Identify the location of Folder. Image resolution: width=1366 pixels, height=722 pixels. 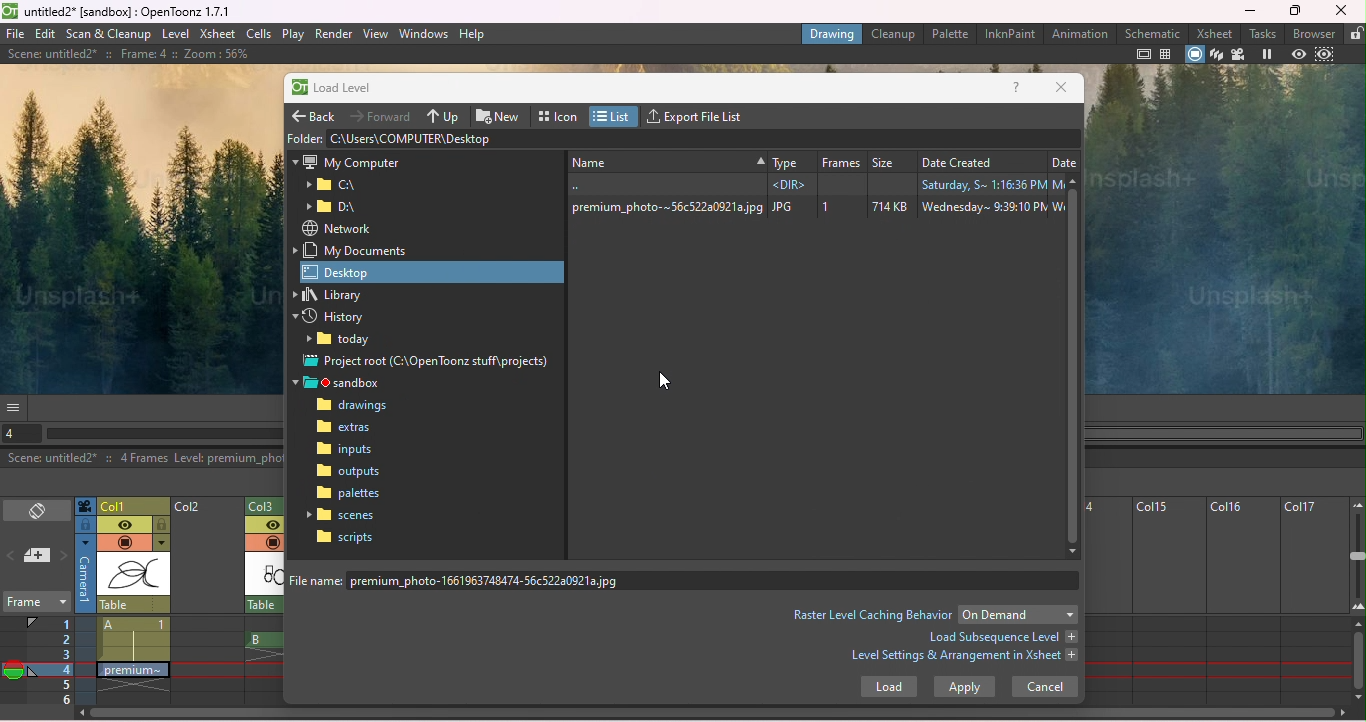
(304, 137).